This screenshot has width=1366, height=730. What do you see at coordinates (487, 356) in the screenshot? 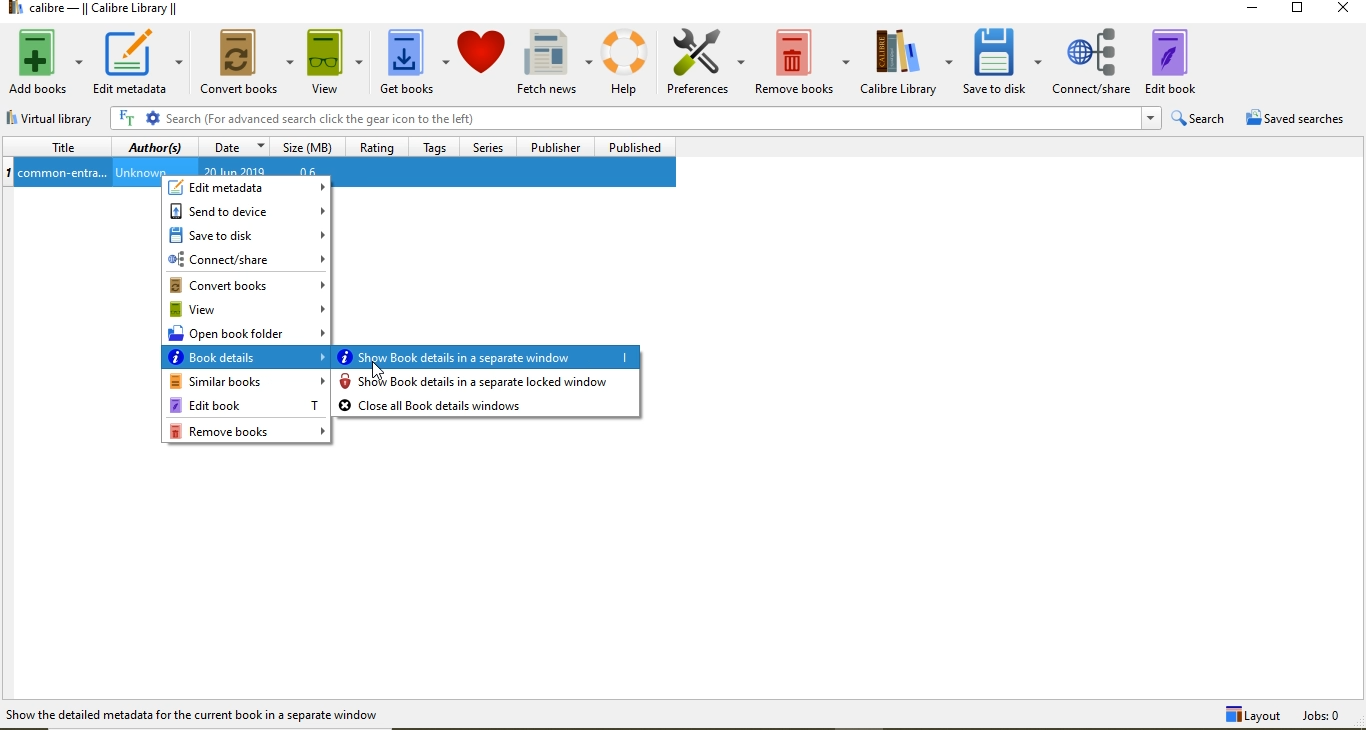
I see `show book details in a seperate window` at bounding box center [487, 356].